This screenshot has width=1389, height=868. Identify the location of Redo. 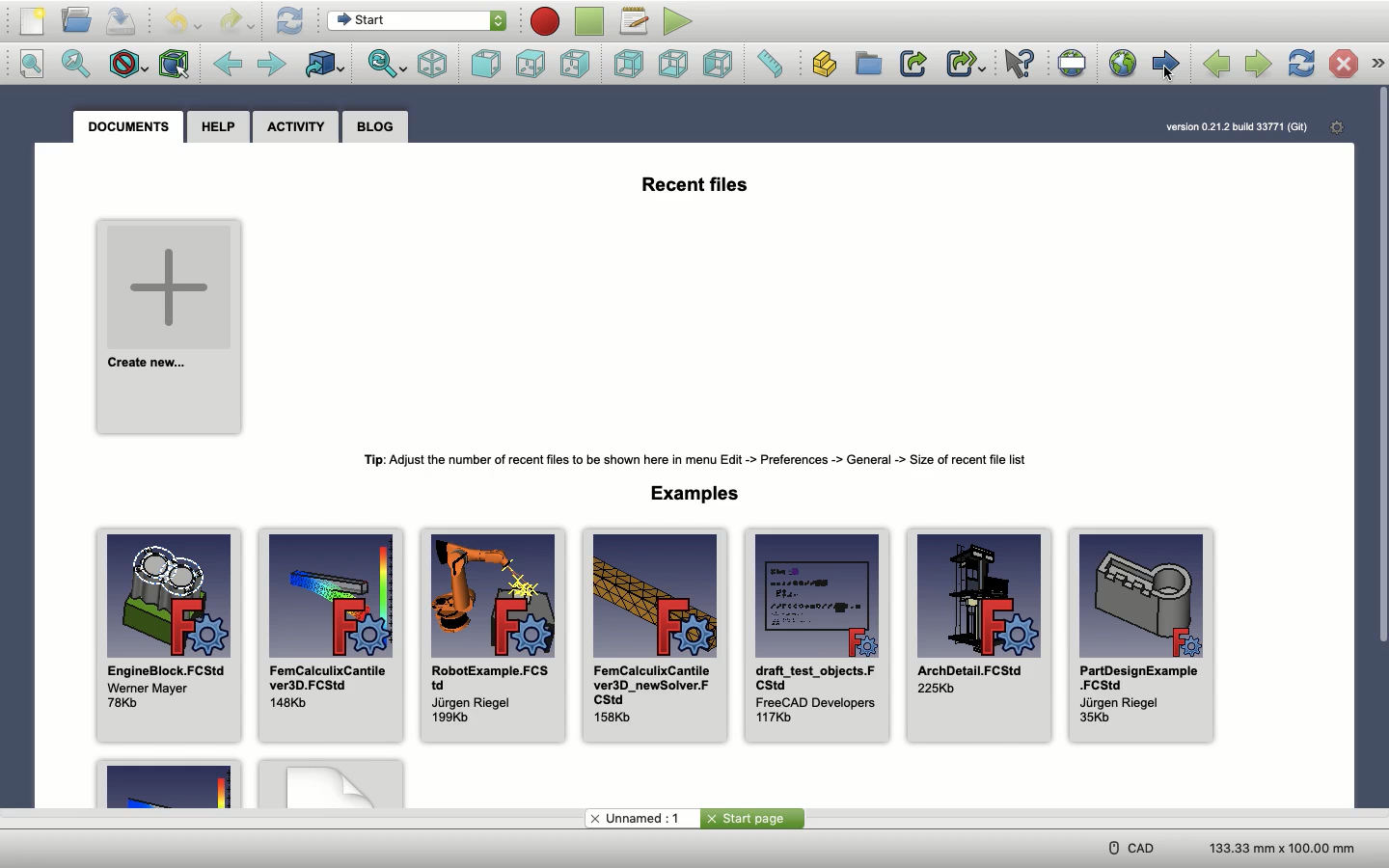
(237, 21).